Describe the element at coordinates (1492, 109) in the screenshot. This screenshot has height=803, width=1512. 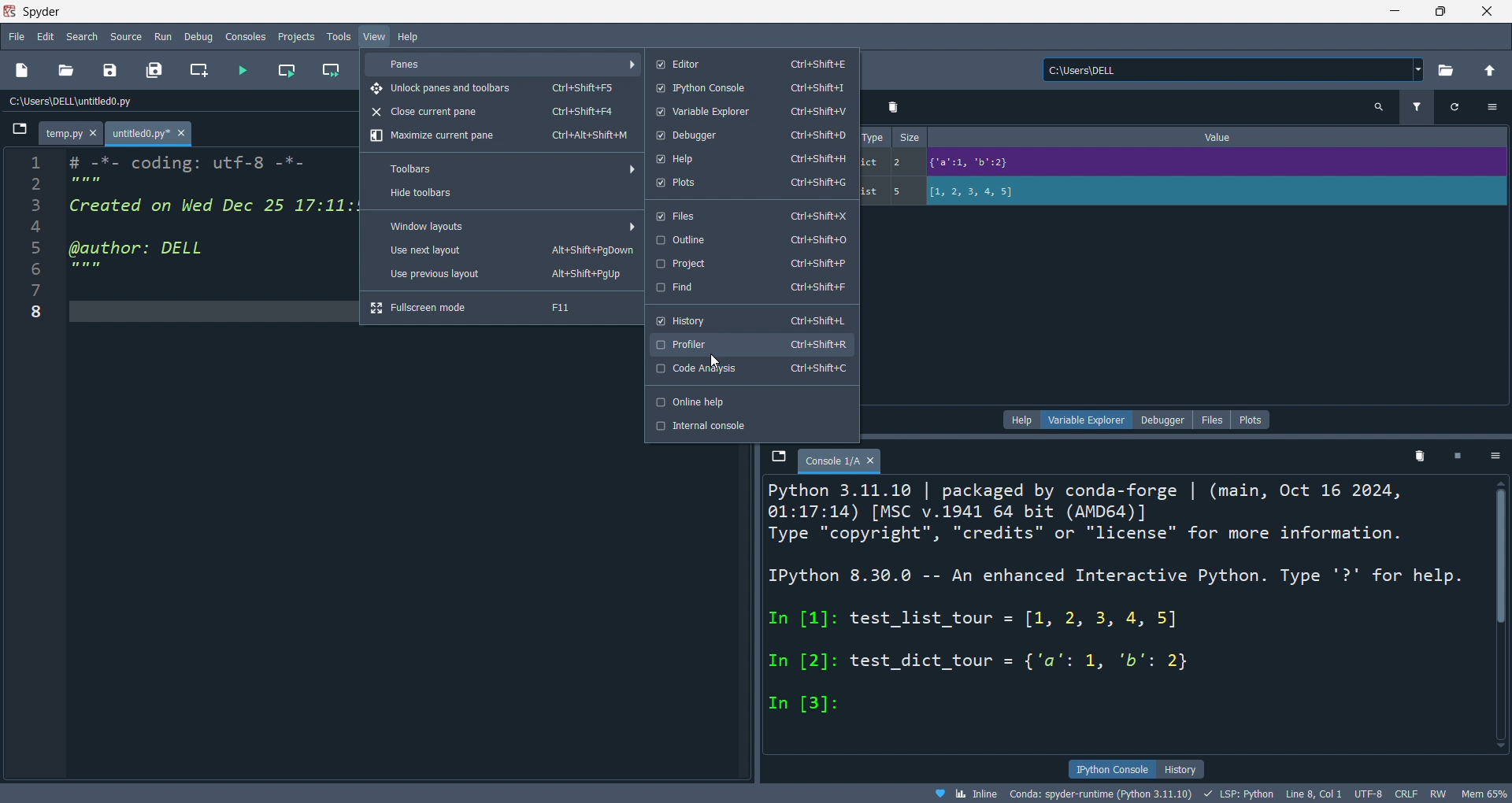
I see `options` at that location.